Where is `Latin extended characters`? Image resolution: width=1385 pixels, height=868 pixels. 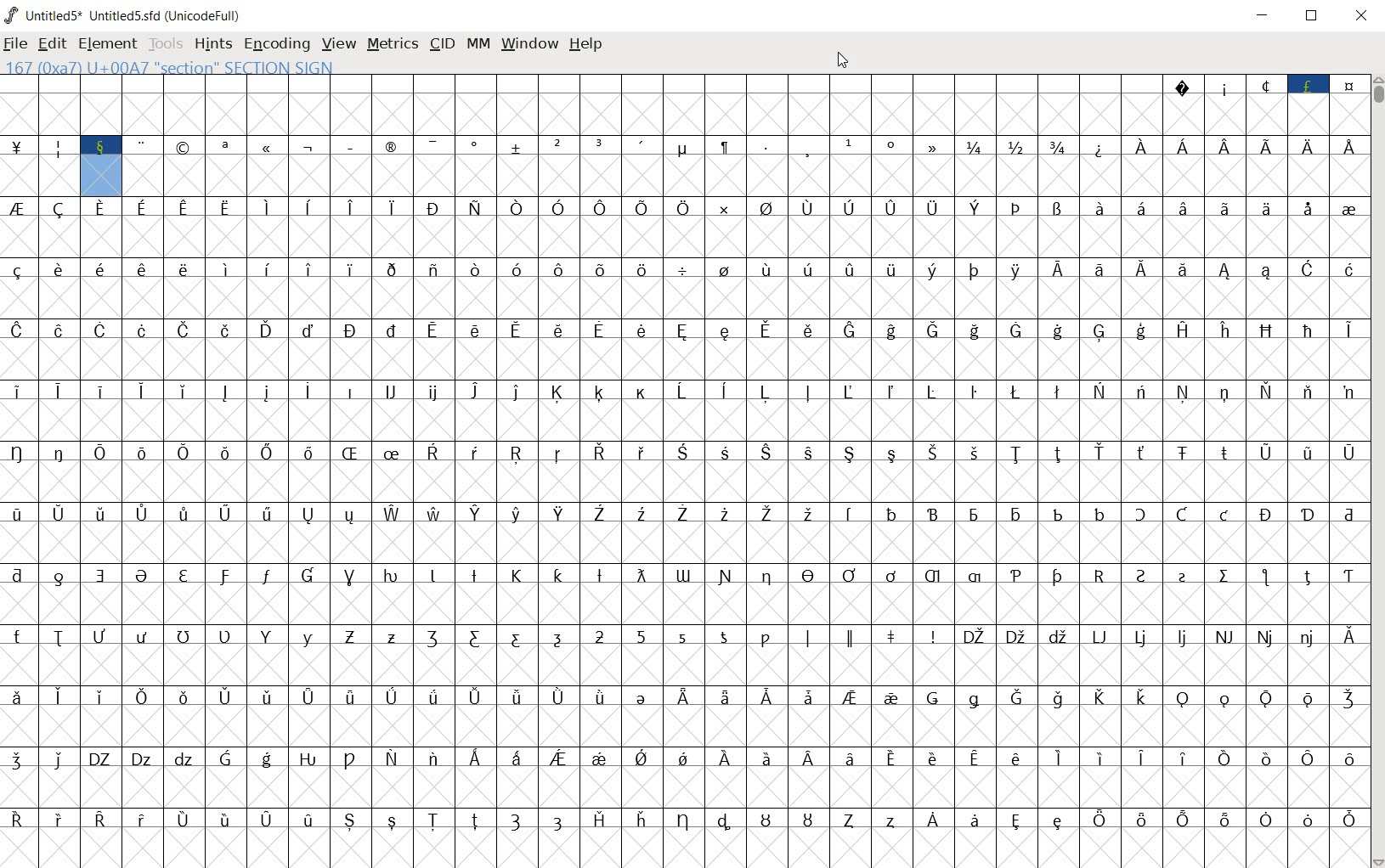 Latin extended characters is located at coordinates (414, 715).